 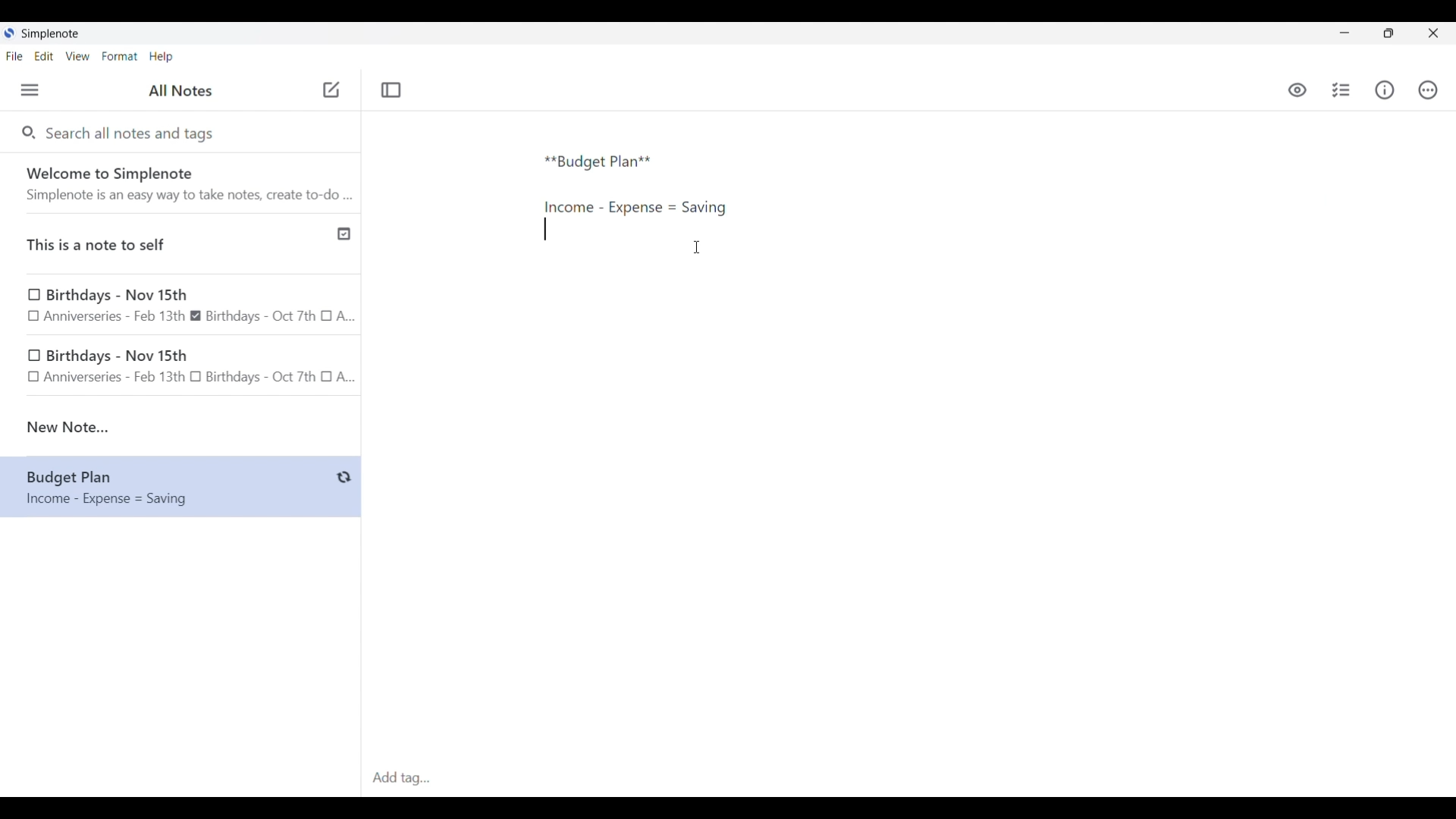 What do you see at coordinates (30, 89) in the screenshot?
I see `Menu` at bounding box center [30, 89].